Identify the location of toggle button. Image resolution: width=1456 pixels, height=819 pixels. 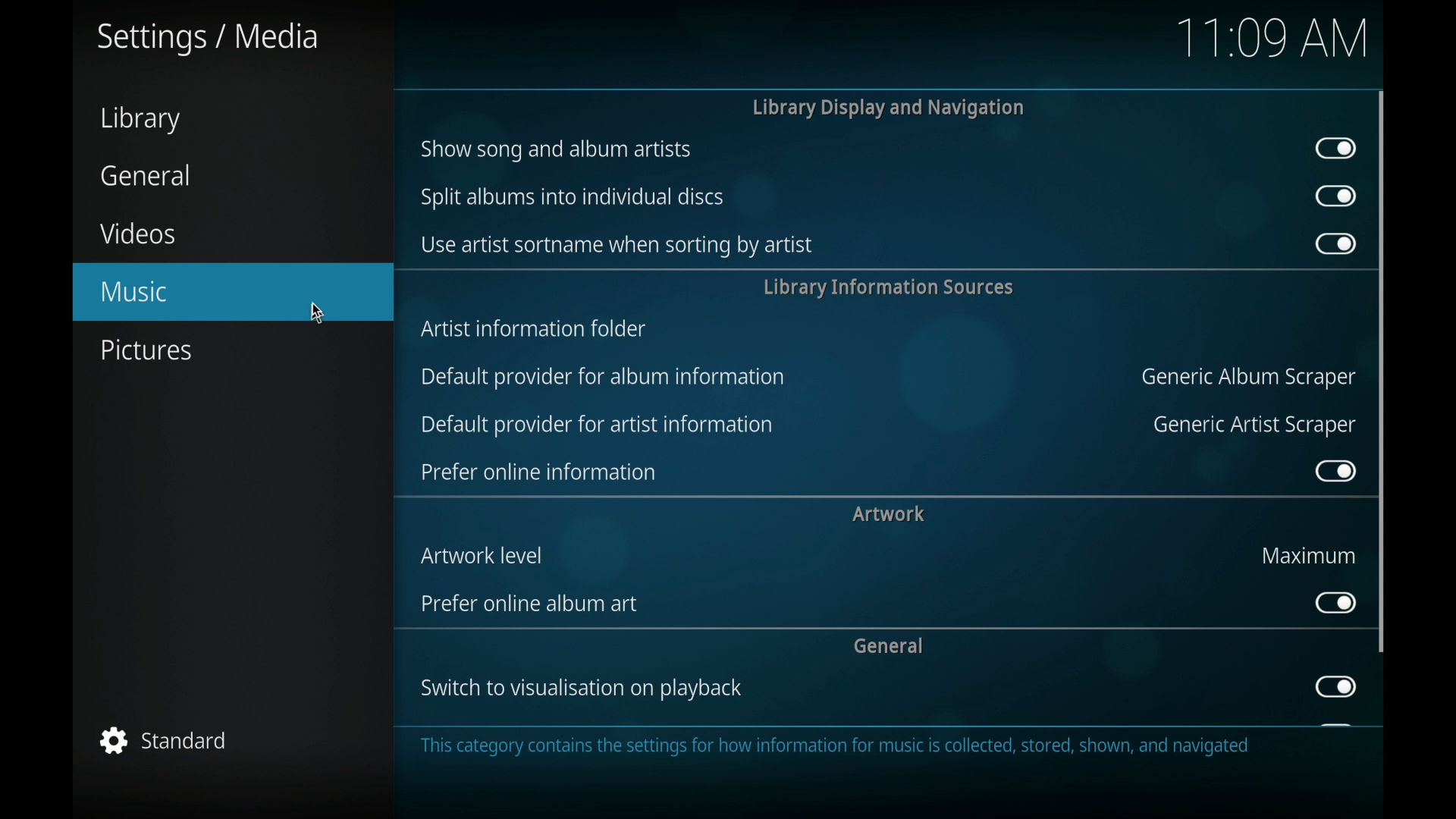
(1335, 602).